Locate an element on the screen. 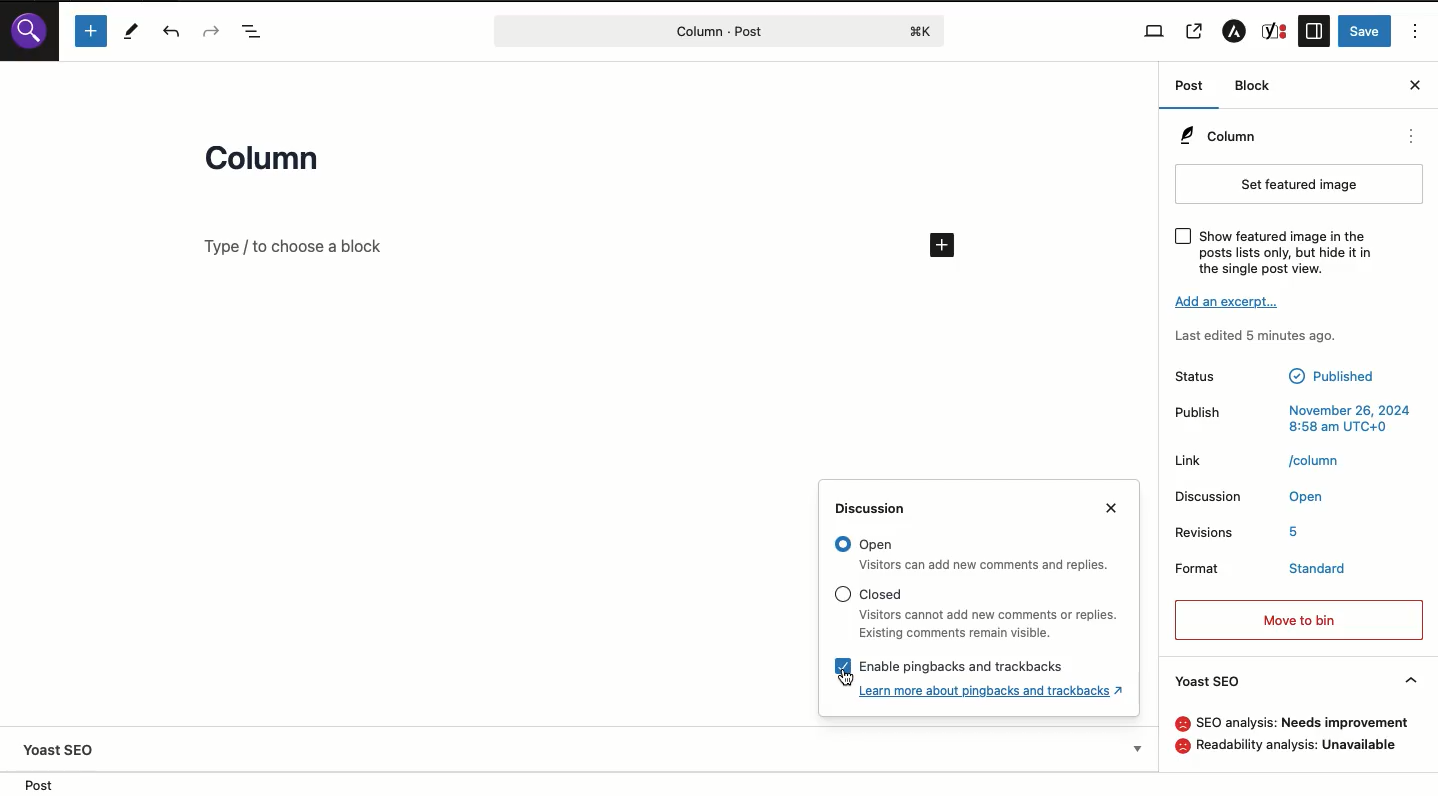 The width and height of the screenshot is (1438, 796). Close is located at coordinates (1415, 85).